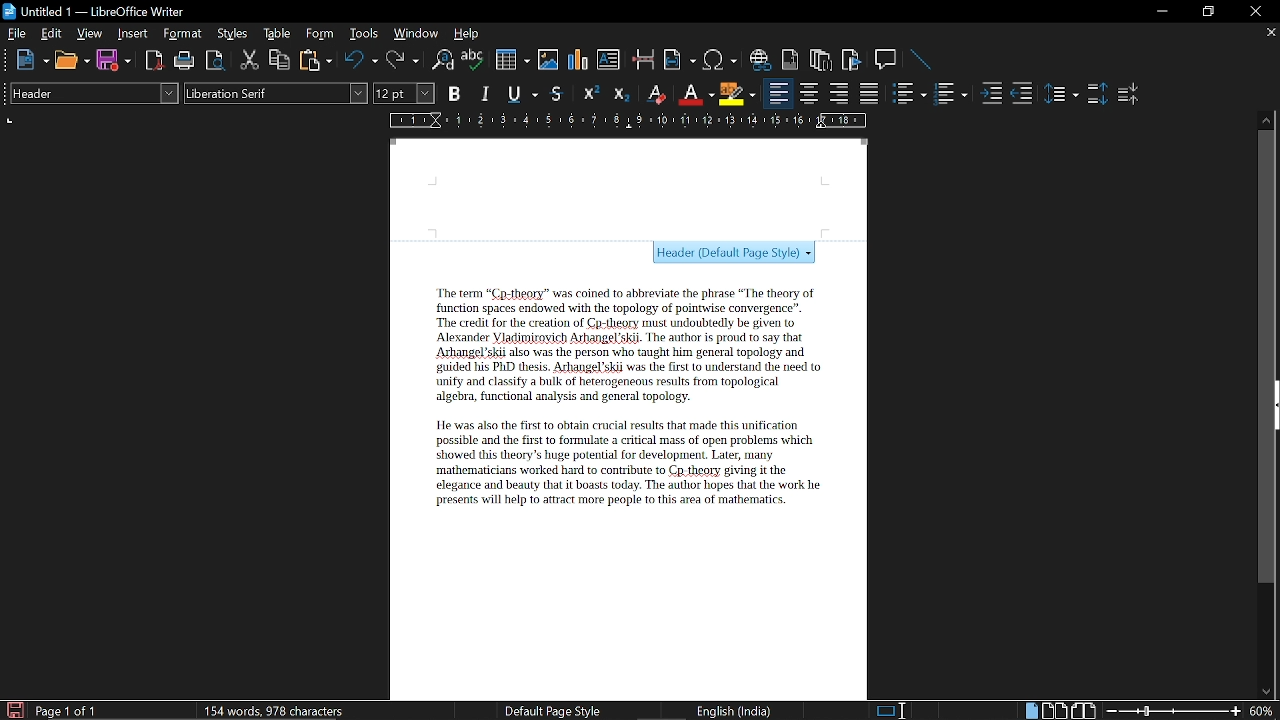 The width and height of the screenshot is (1280, 720). Describe the element at coordinates (629, 188) in the screenshot. I see `2 cm header added` at that location.